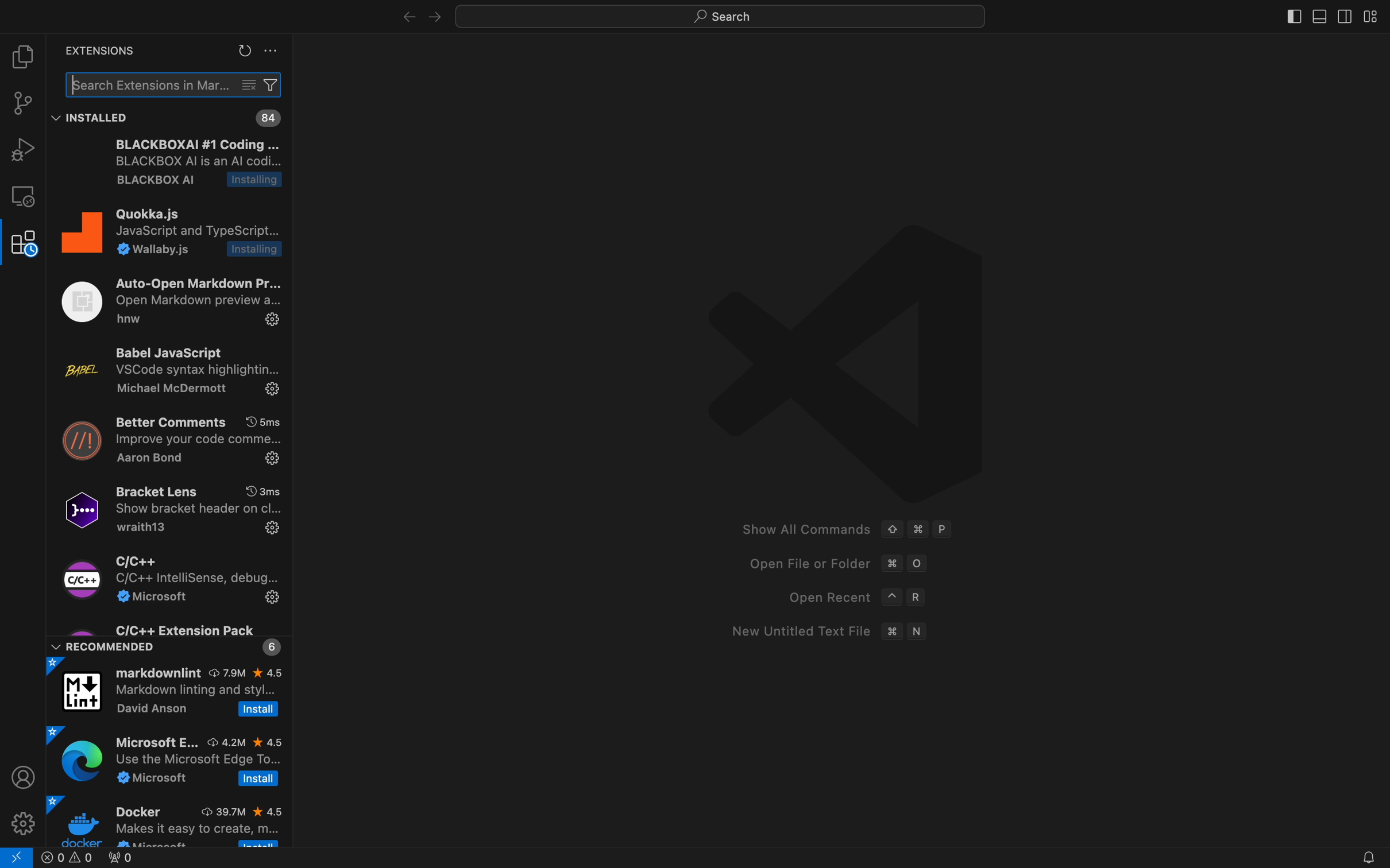 The image size is (1390, 868). I want to click on toggle bar, so click(1291, 16).